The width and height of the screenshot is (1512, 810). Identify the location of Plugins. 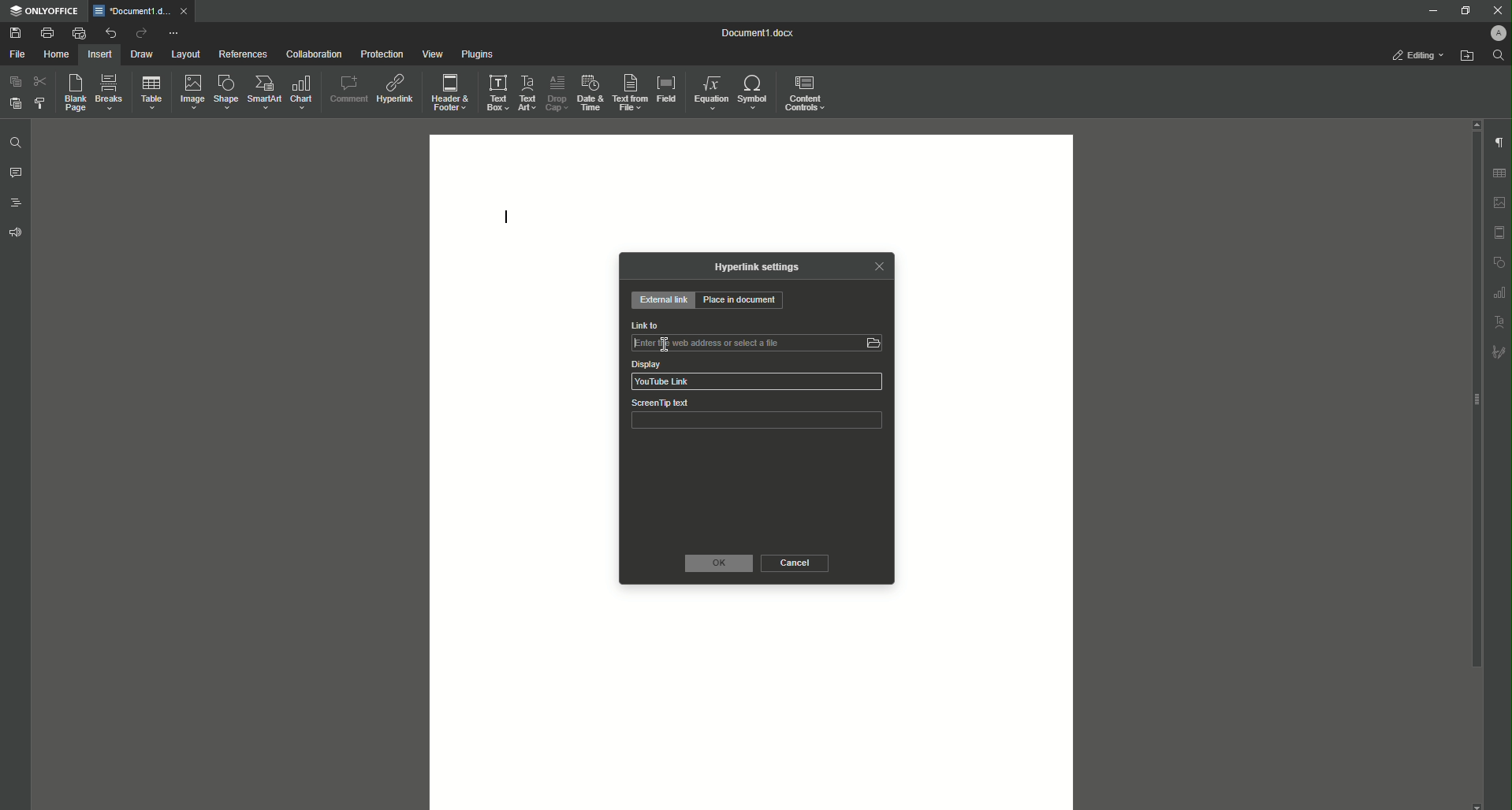
(476, 53).